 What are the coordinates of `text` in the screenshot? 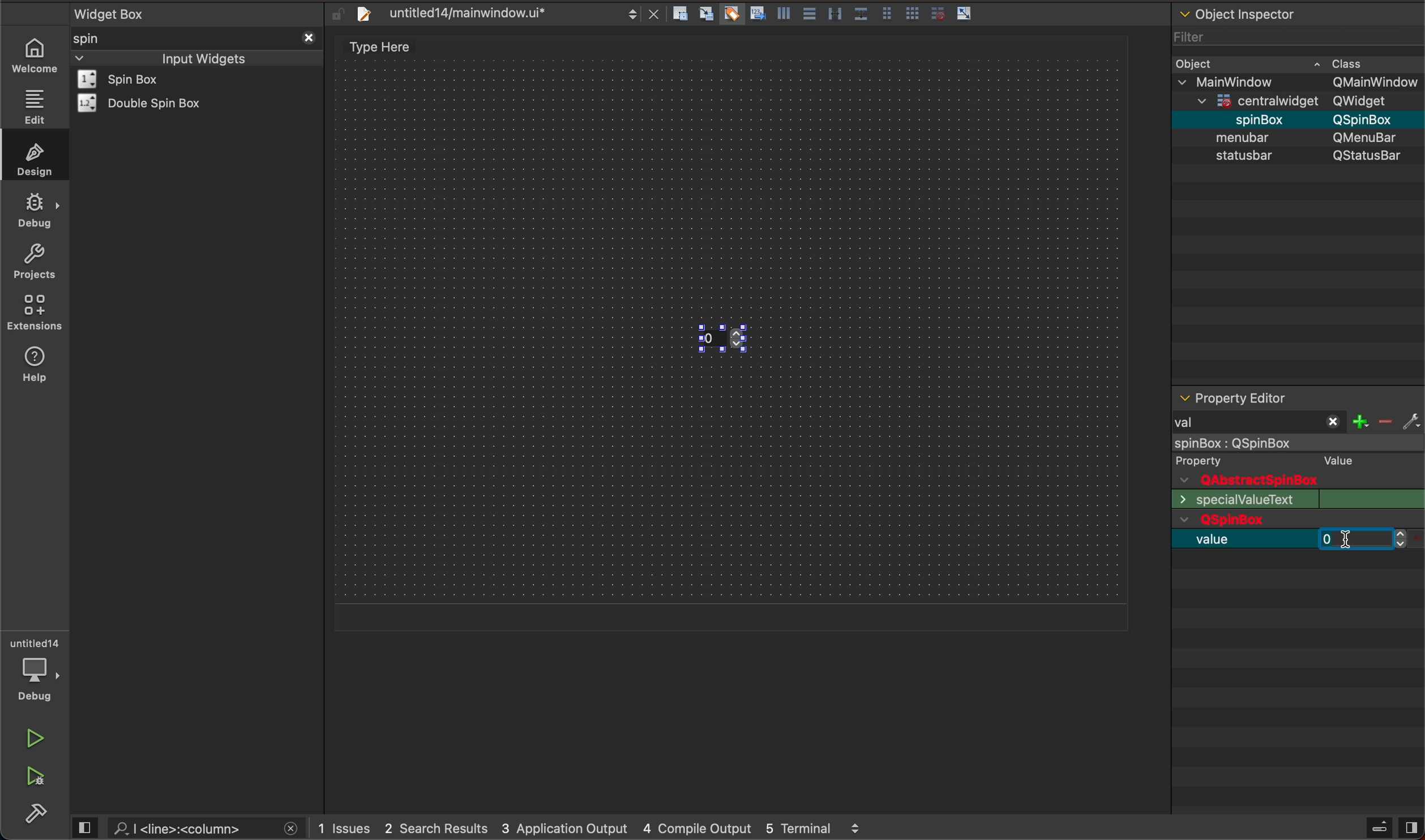 It's located at (1369, 157).